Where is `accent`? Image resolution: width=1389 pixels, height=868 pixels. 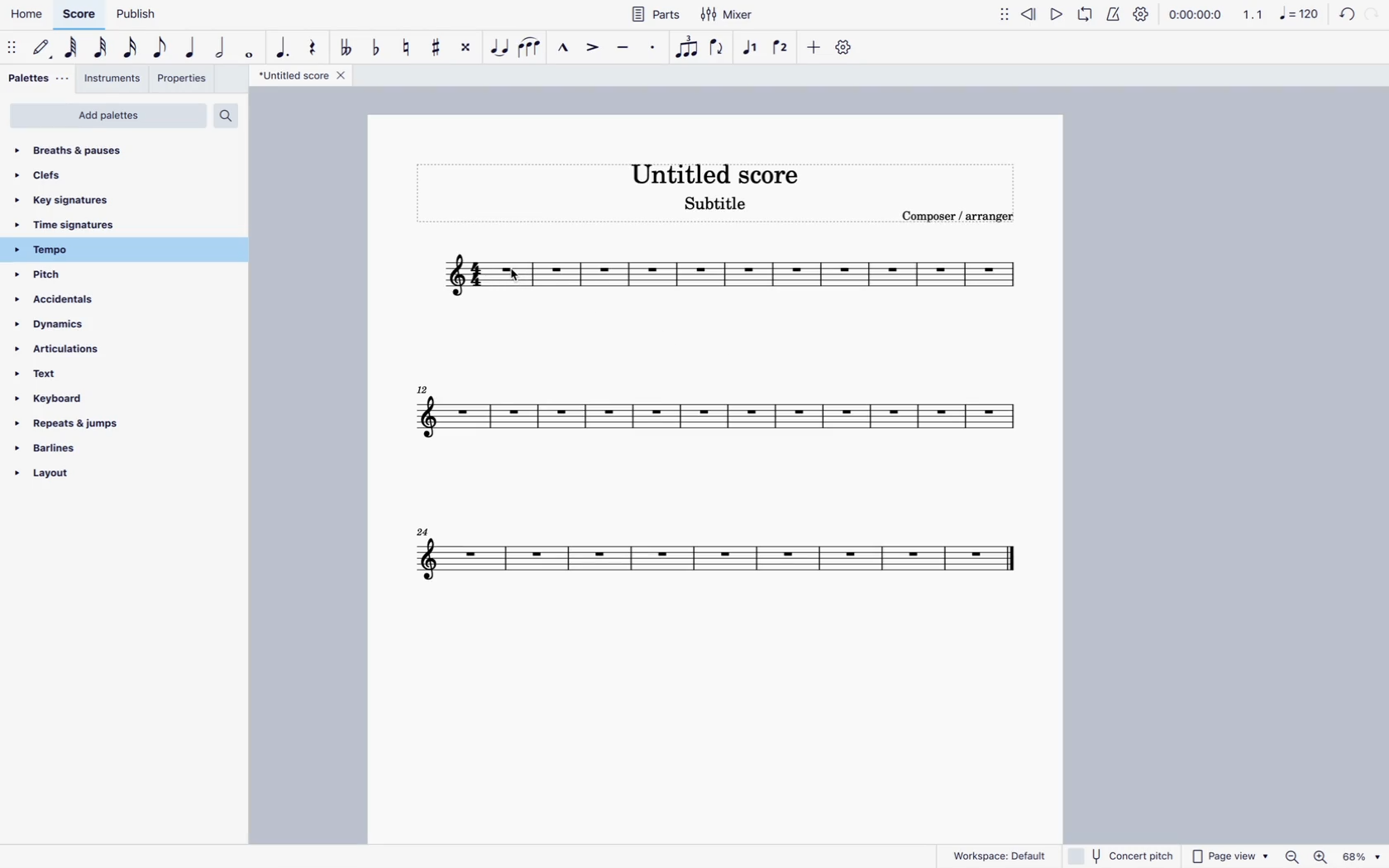 accent is located at coordinates (594, 49).